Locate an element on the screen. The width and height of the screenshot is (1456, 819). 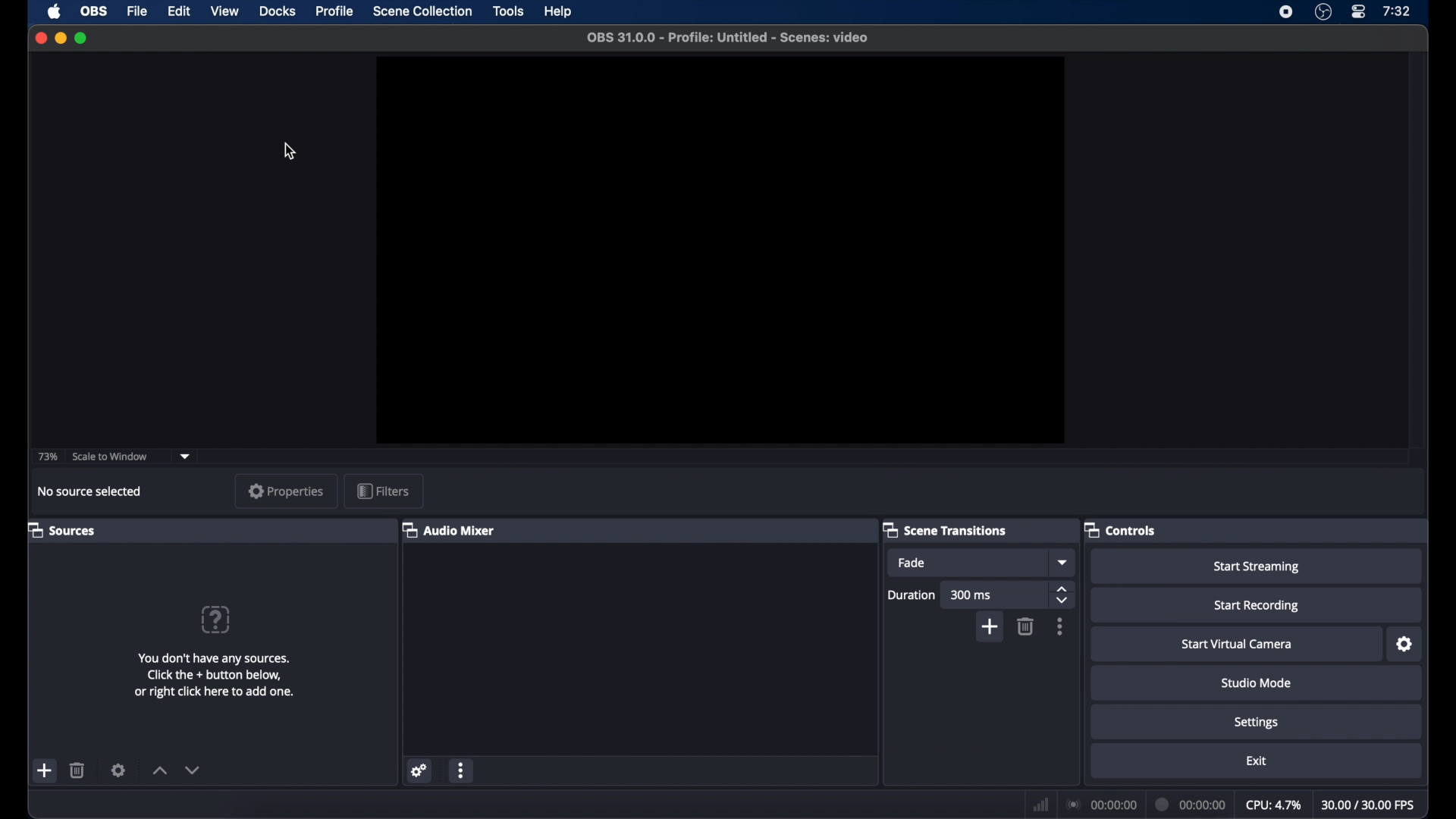
audio mixer is located at coordinates (447, 529).